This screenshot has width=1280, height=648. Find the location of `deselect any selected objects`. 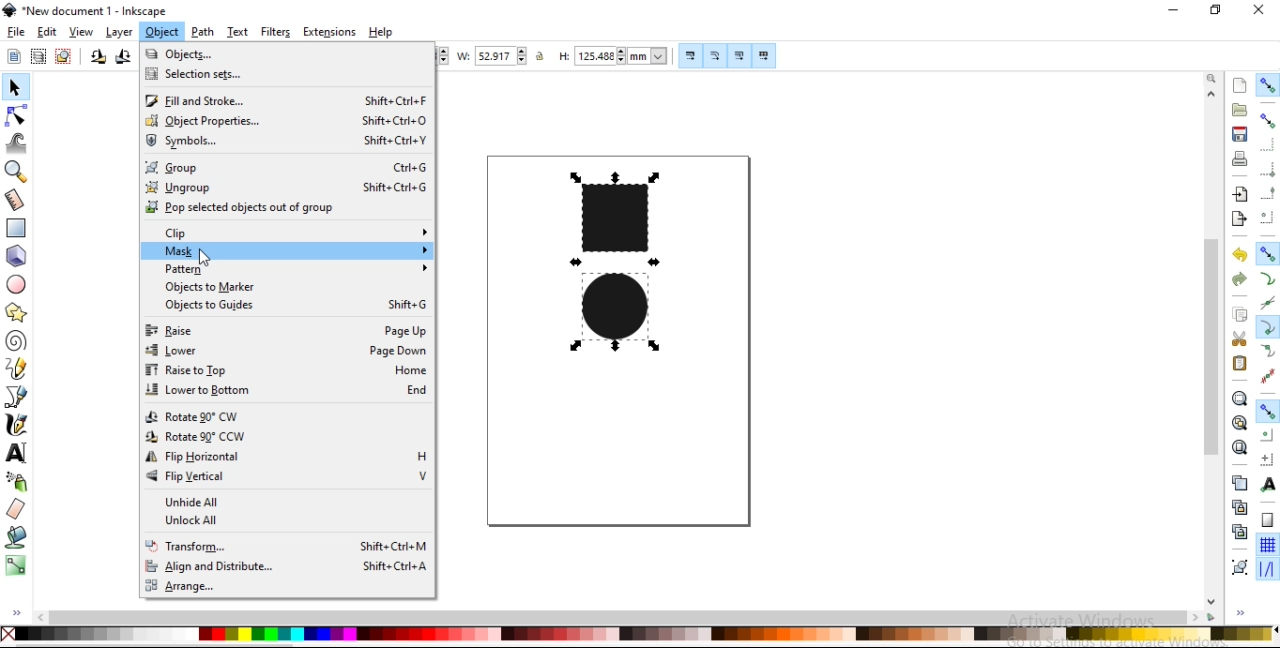

deselect any selected objects is located at coordinates (66, 57).